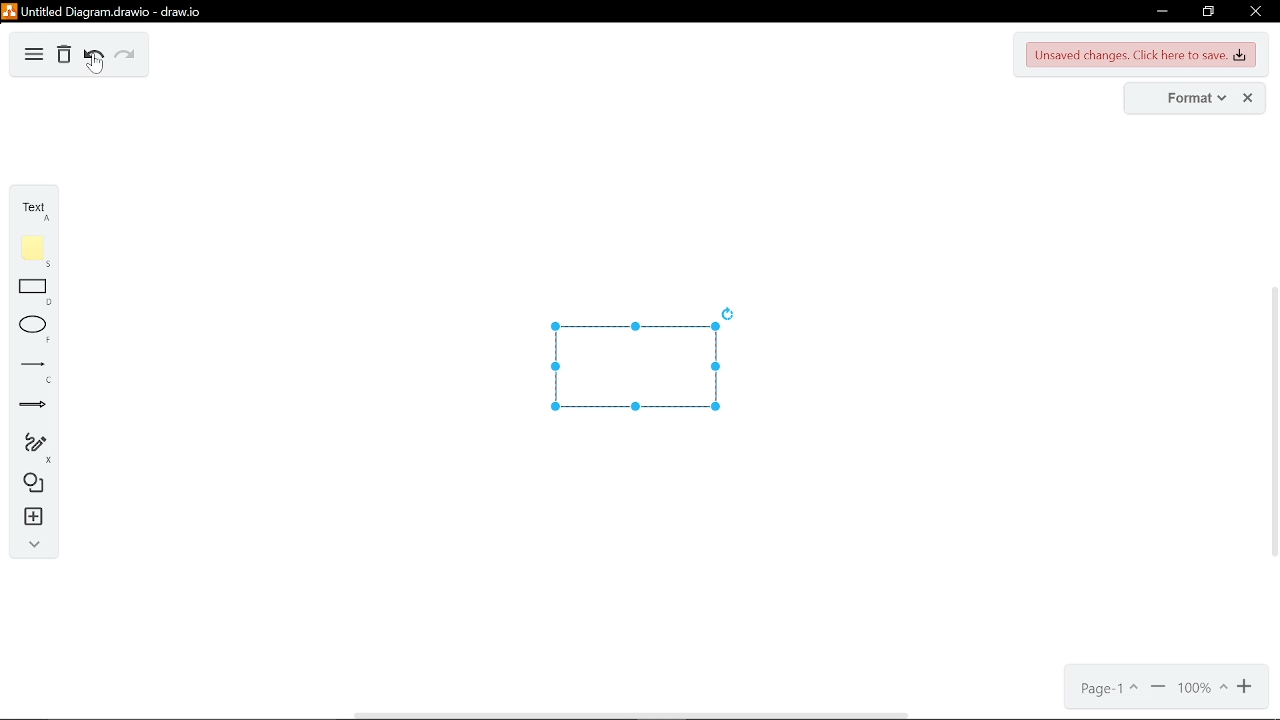 Image resolution: width=1280 pixels, height=720 pixels. I want to click on Untitled Diagram.drawio - draw.io, so click(117, 13).